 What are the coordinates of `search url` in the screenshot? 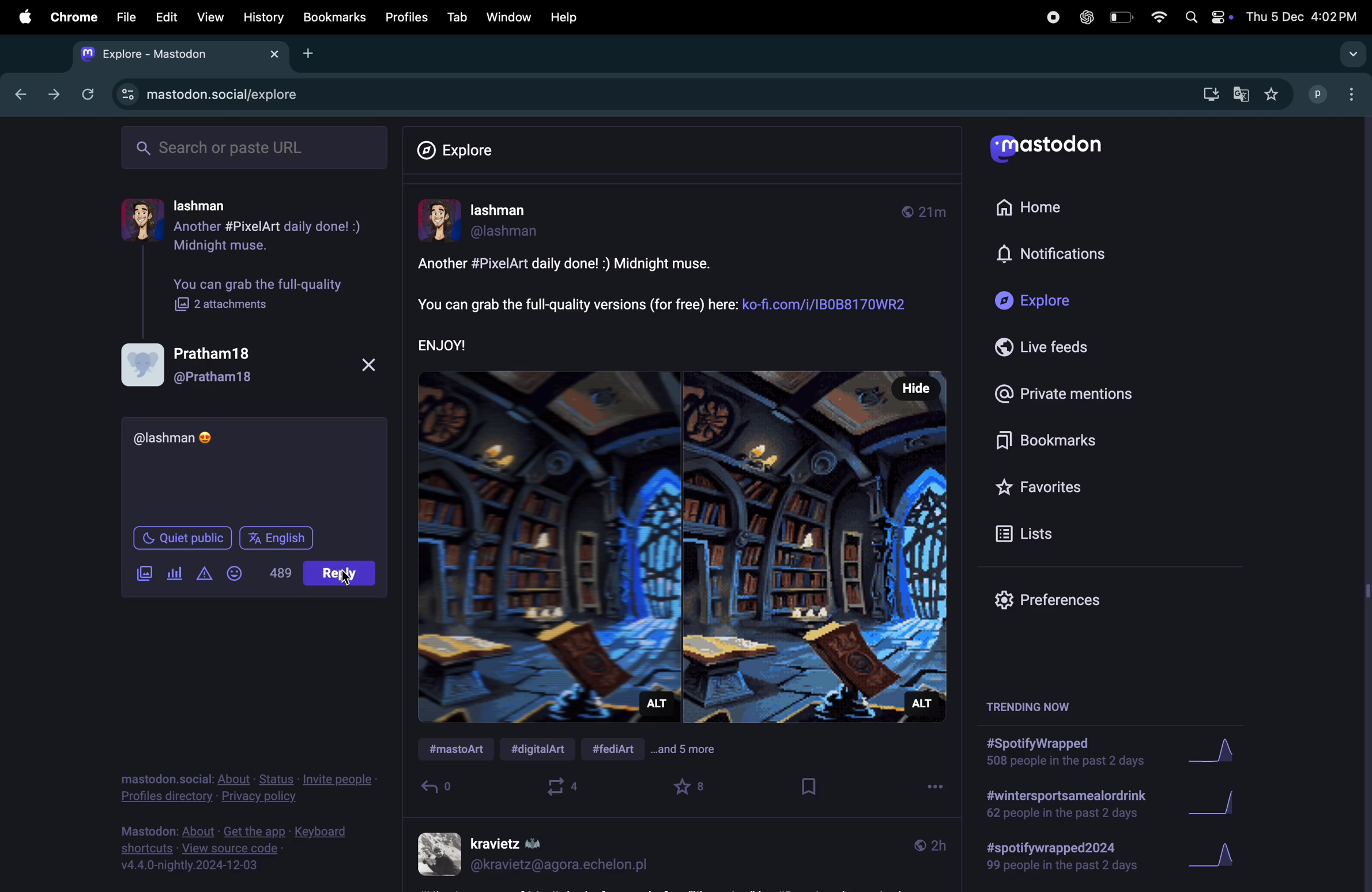 It's located at (255, 149).